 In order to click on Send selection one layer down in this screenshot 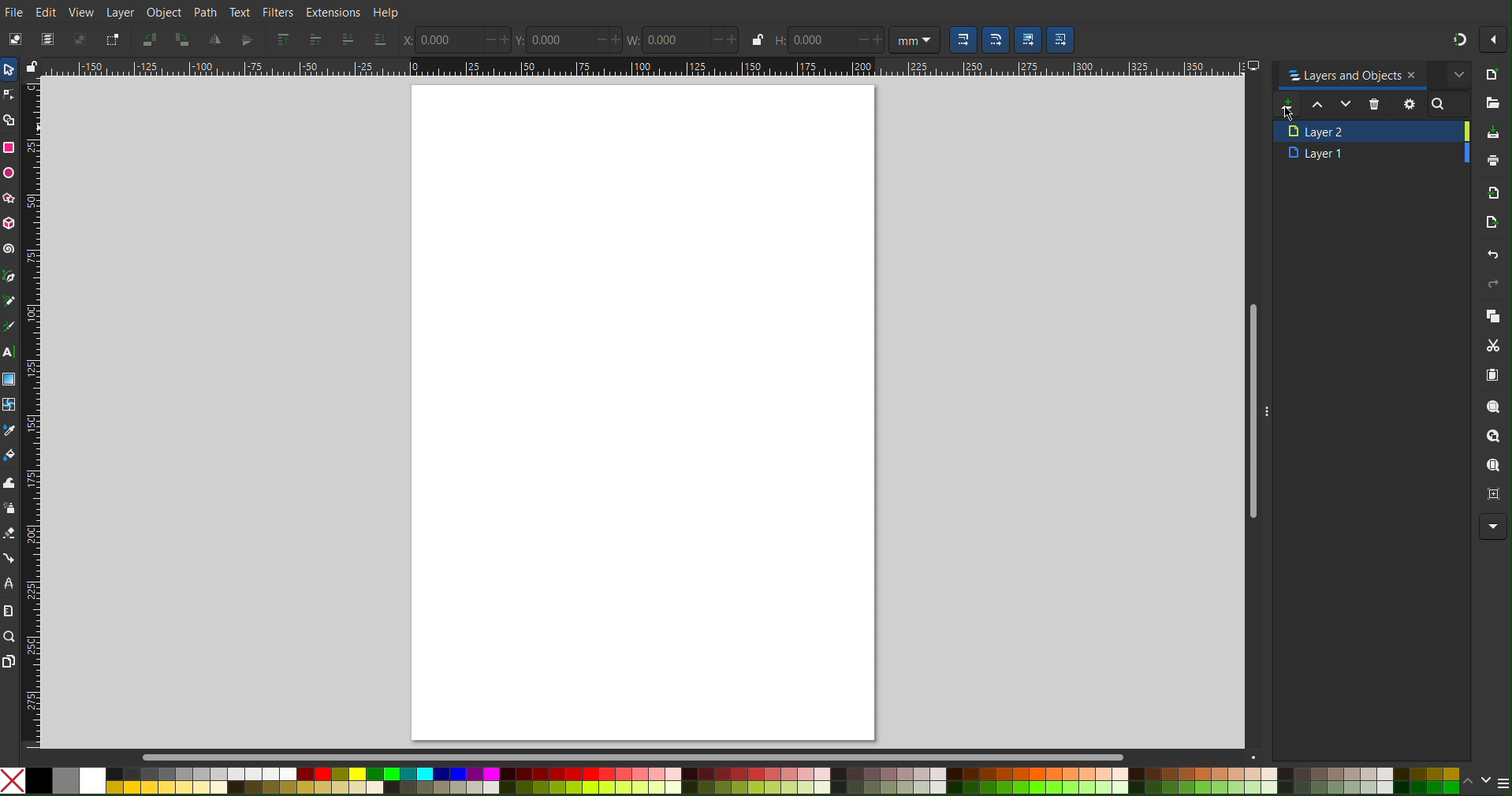, I will do `click(348, 39)`.